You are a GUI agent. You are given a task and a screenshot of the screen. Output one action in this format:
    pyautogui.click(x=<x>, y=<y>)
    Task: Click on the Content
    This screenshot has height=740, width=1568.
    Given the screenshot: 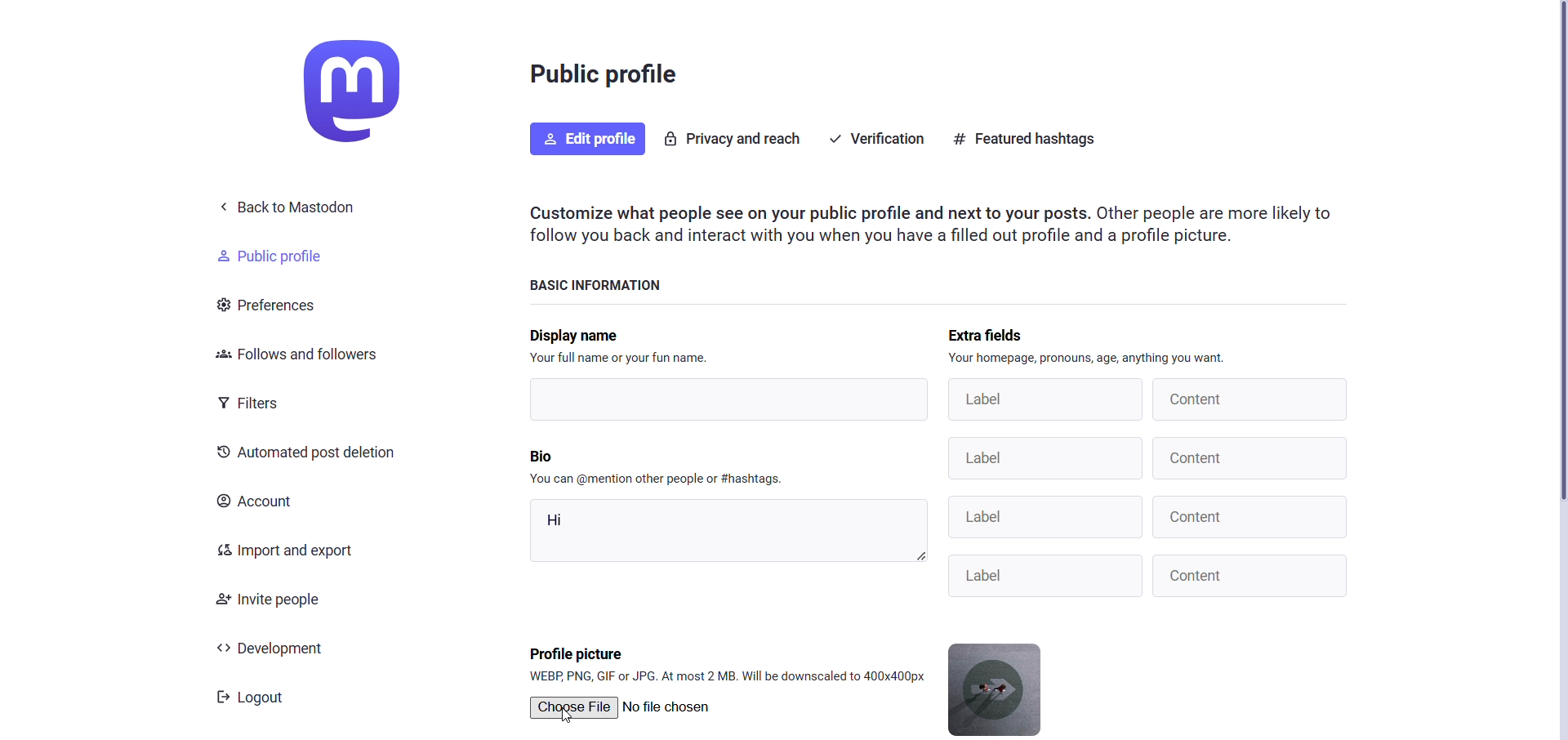 What is the action you would take?
    pyautogui.click(x=1251, y=575)
    